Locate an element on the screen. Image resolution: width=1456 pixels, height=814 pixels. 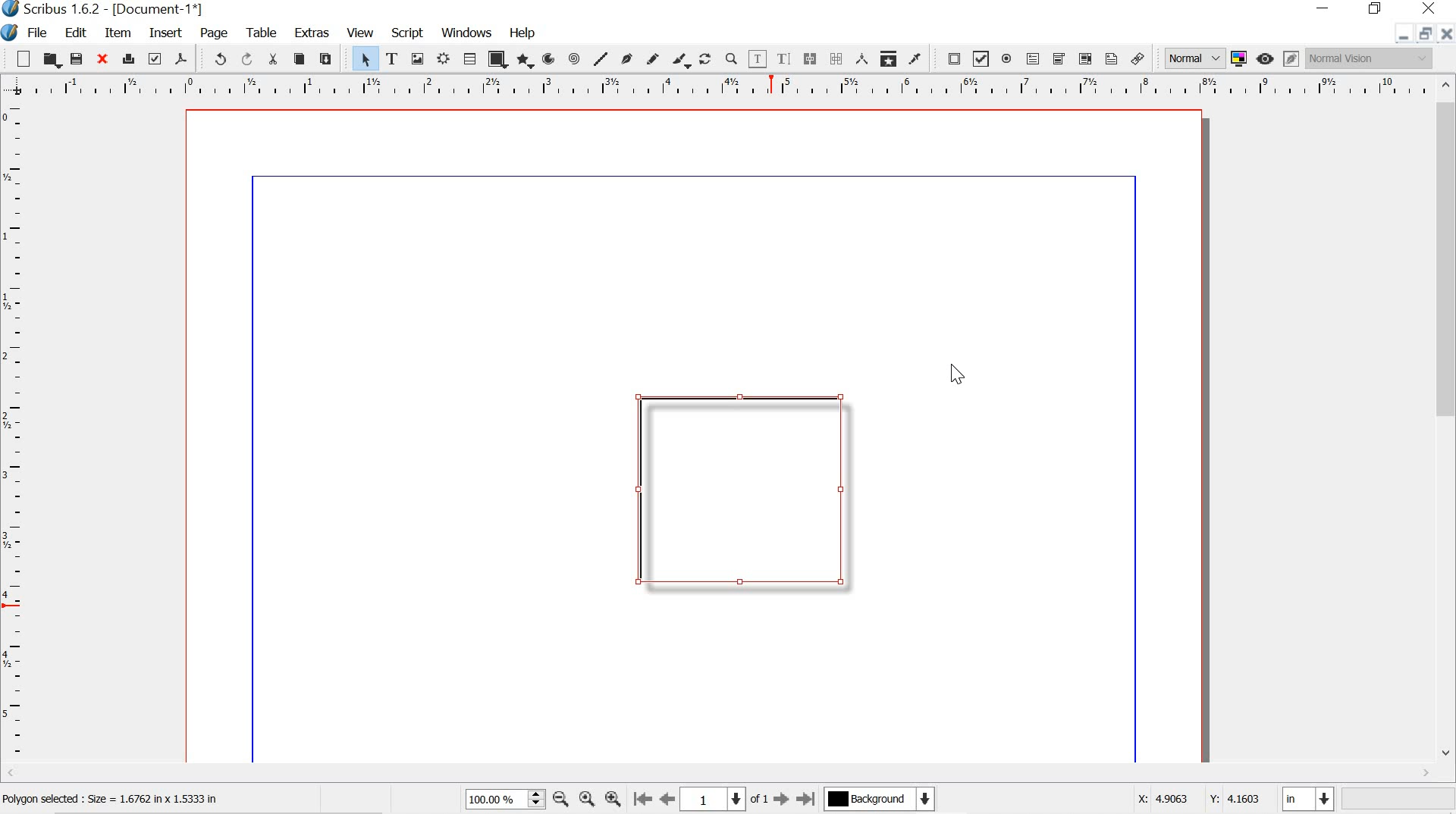
ITEM is located at coordinates (119, 33).